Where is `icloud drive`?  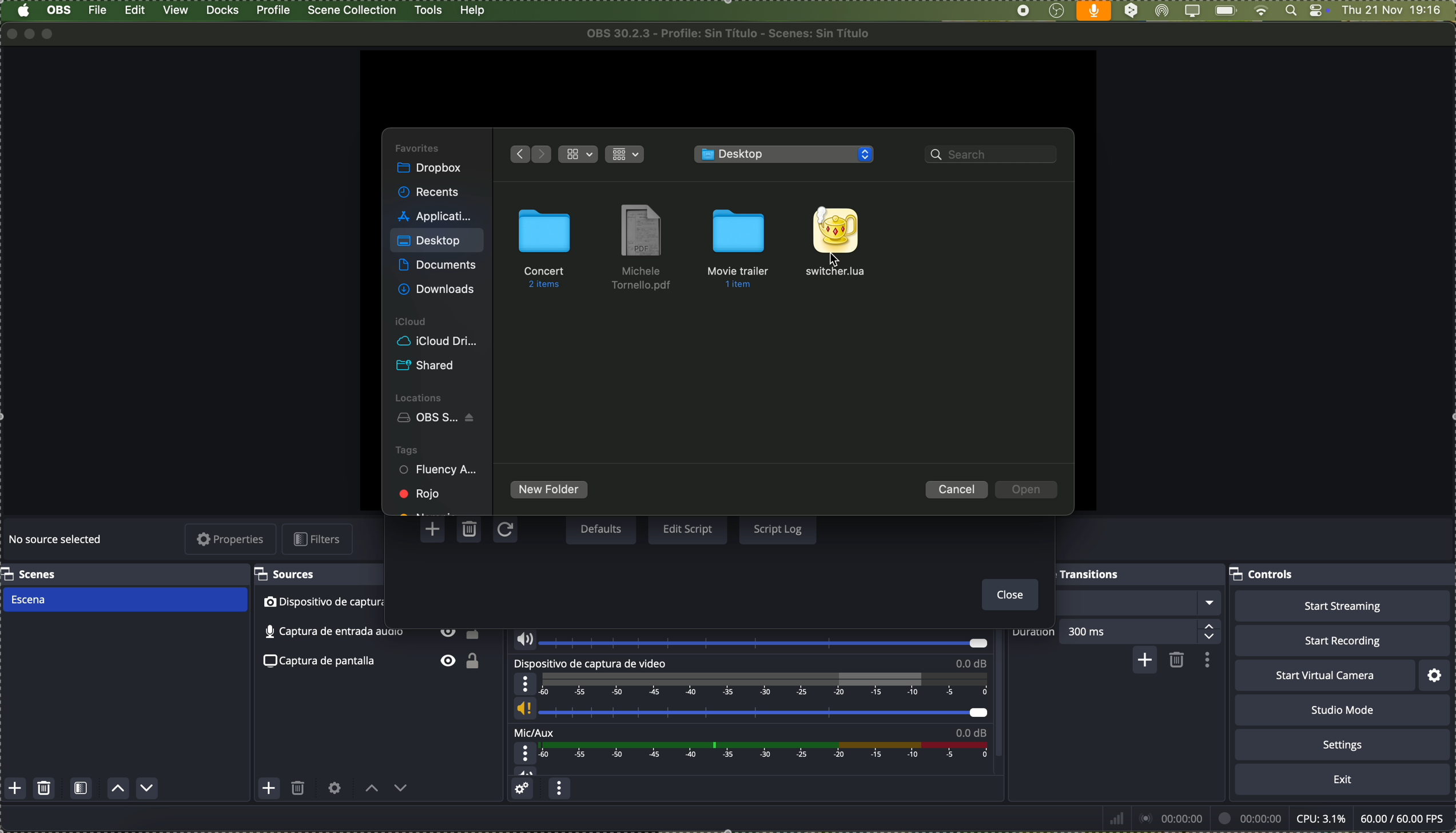
icloud drive is located at coordinates (437, 342).